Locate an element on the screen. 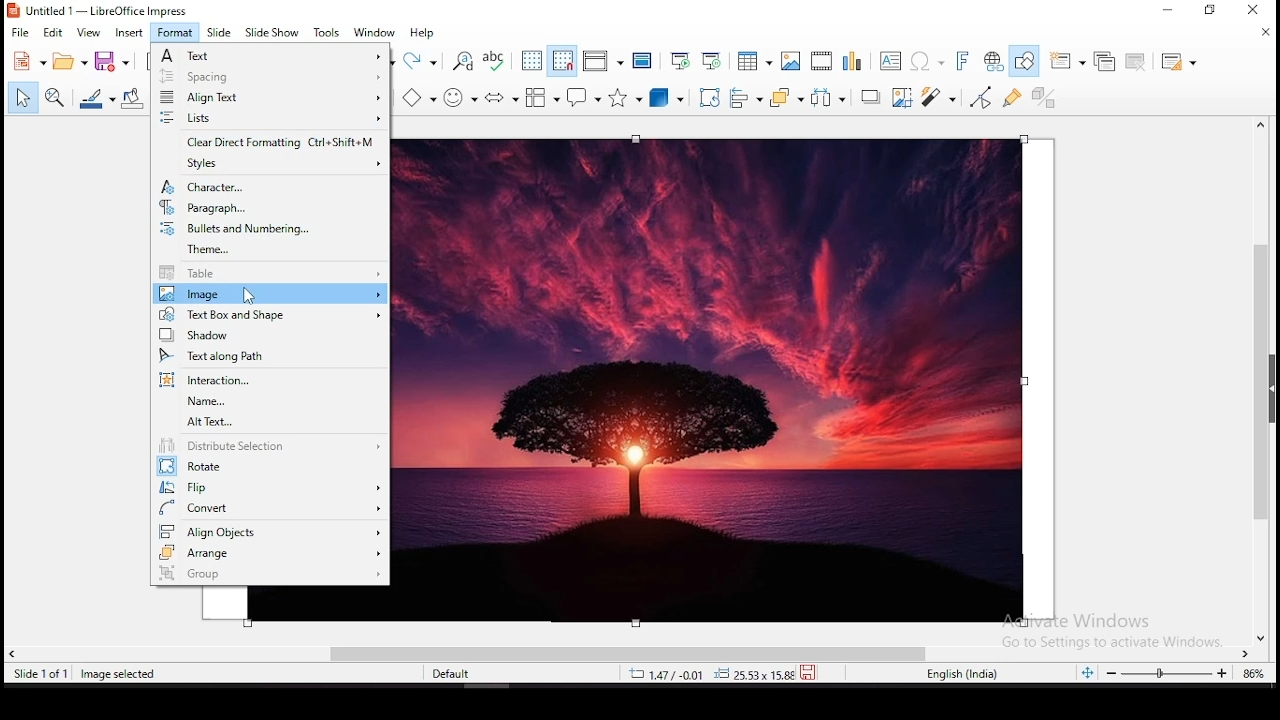  arrange is located at coordinates (270, 553).